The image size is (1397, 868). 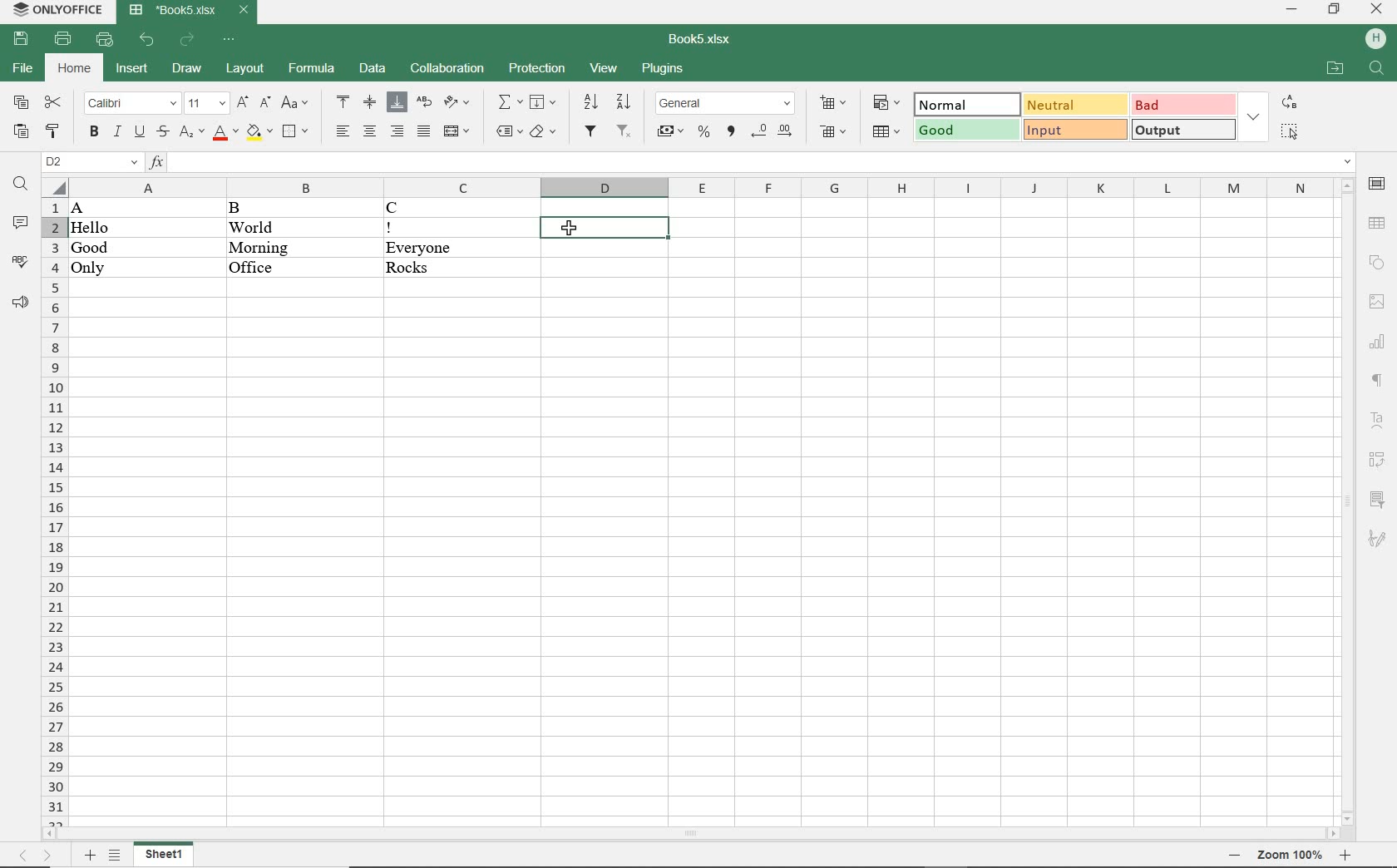 What do you see at coordinates (371, 131) in the screenshot?
I see `ALIGN CENTER` at bounding box center [371, 131].